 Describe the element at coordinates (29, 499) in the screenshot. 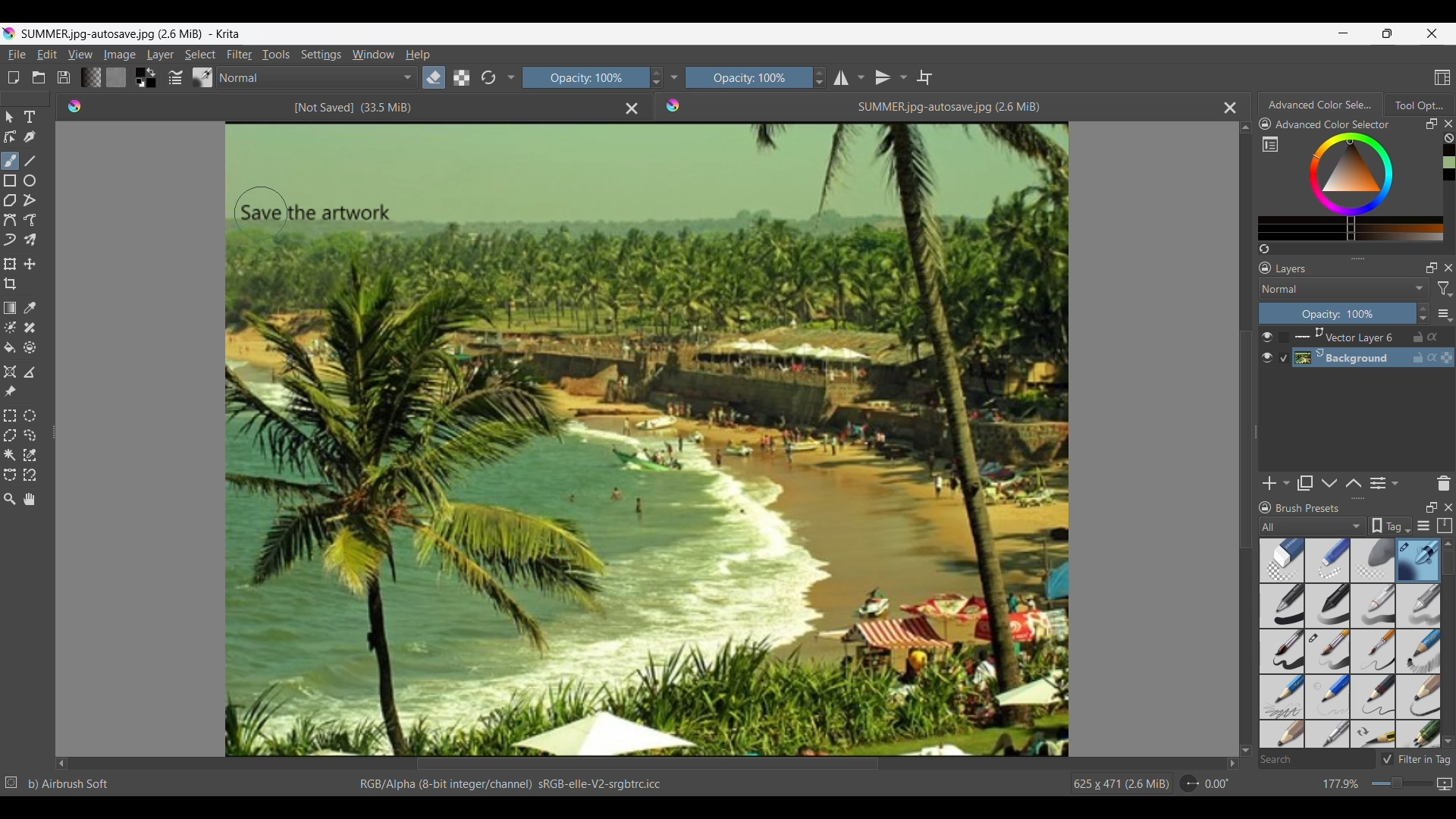

I see `Pan tool` at that location.